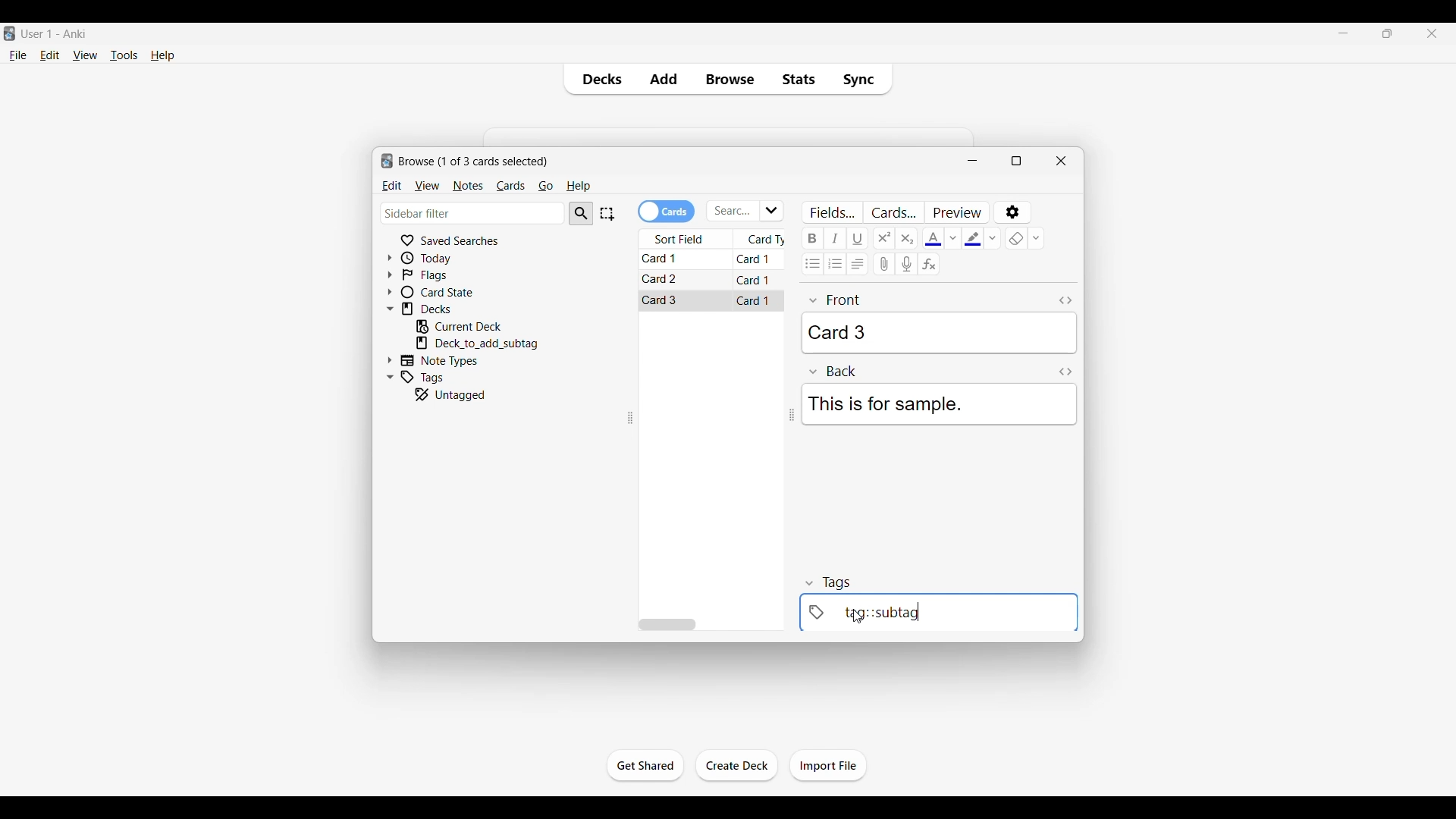  I want to click on Click to expand Note Types, so click(390, 360).